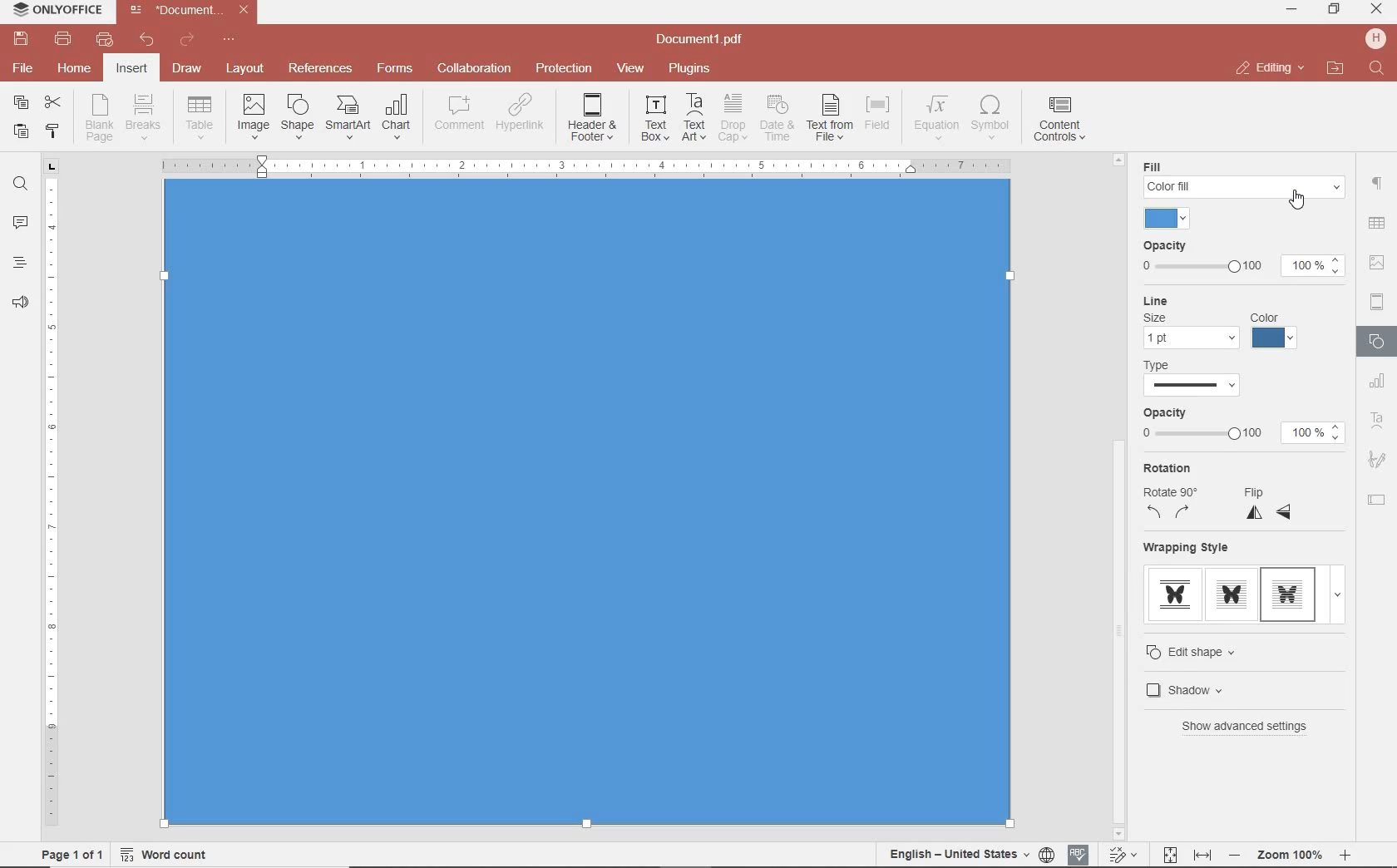  Describe the element at coordinates (20, 224) in the screenshot. I see `comments` at that location.